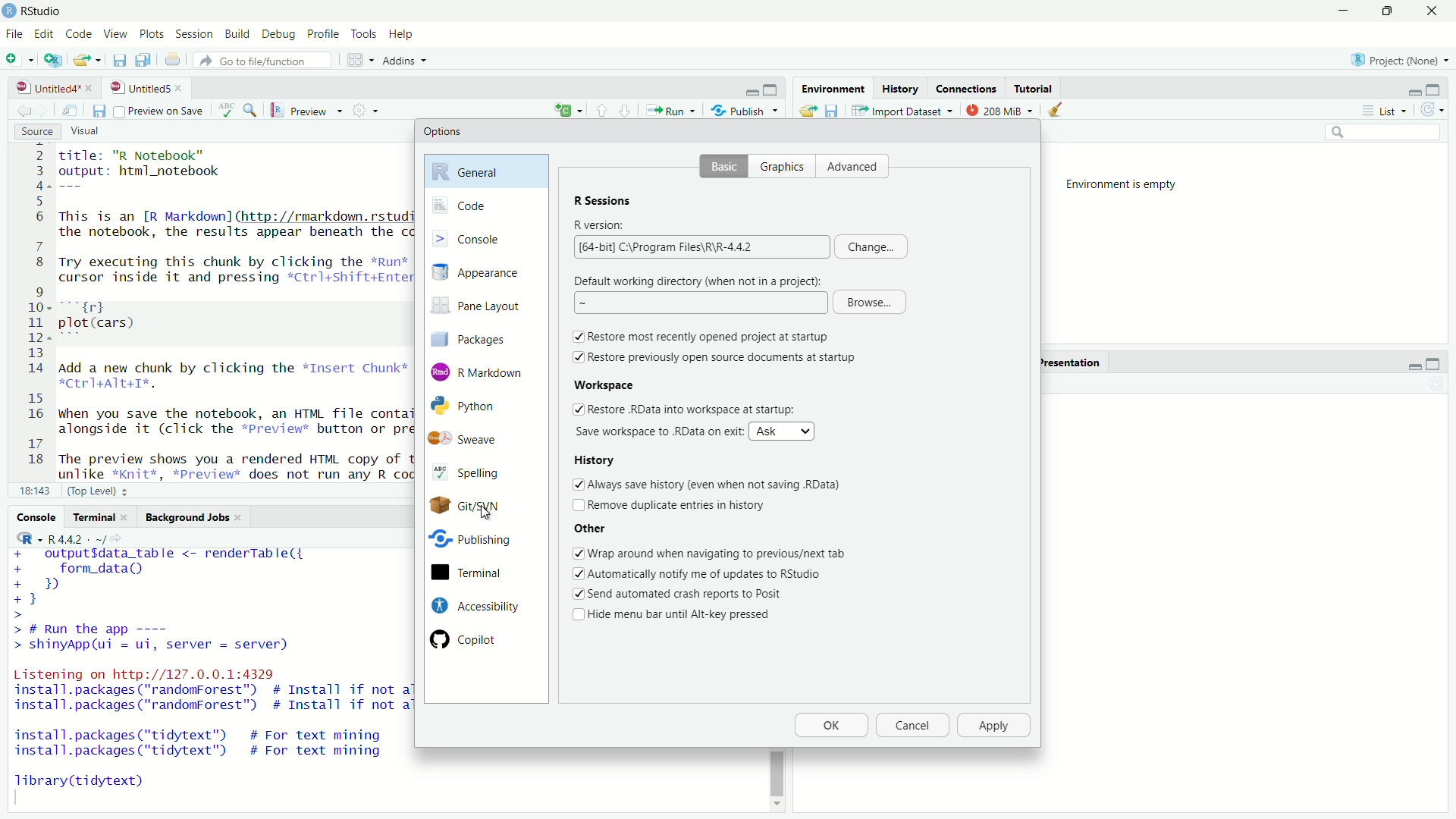 The height and width of the screenshot is (819, 1456). Describe the element at coordinates (36, 516) in the screenshot. I see `Console` at that location.